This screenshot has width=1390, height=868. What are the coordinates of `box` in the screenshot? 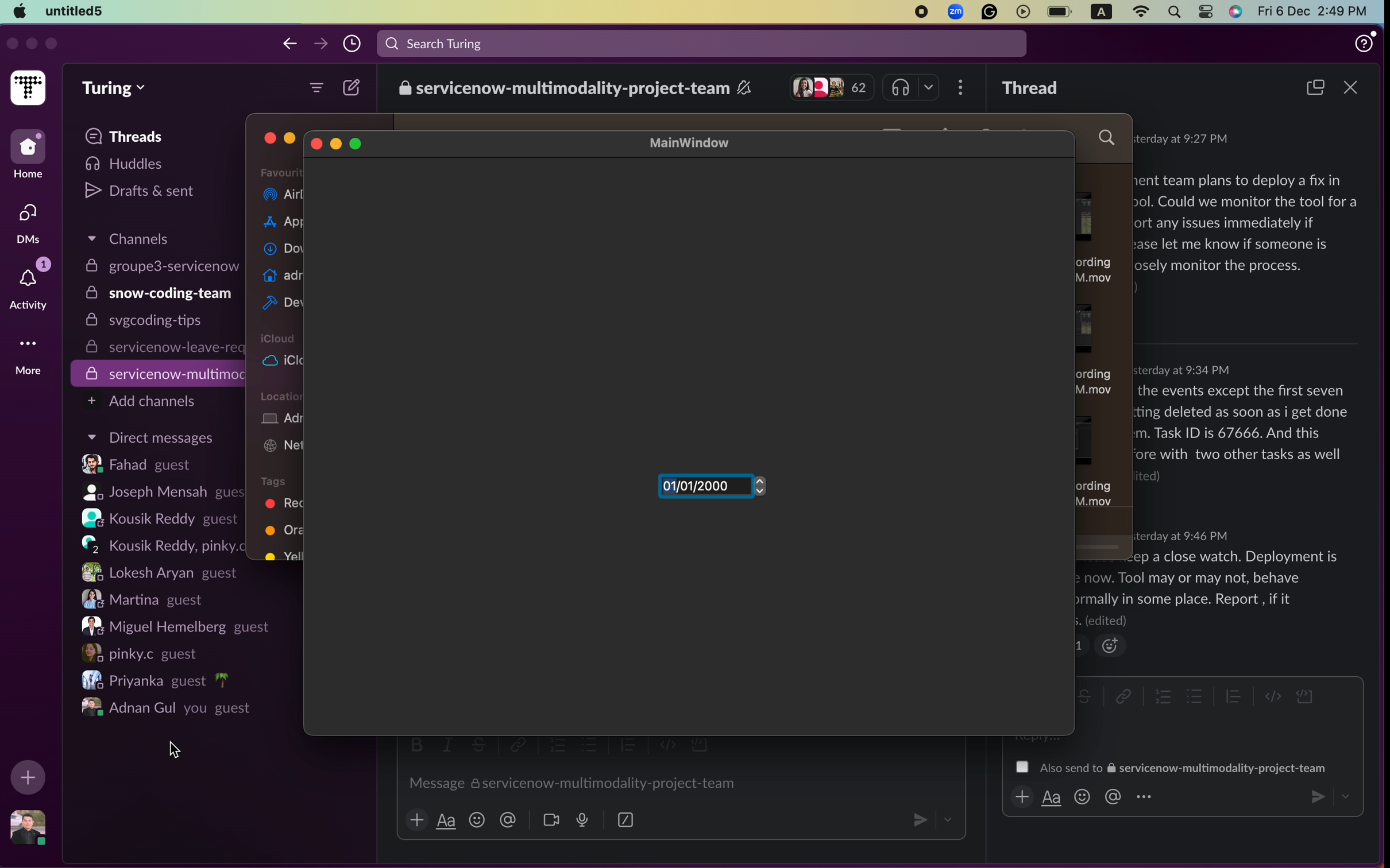 It's located at (626, 819).